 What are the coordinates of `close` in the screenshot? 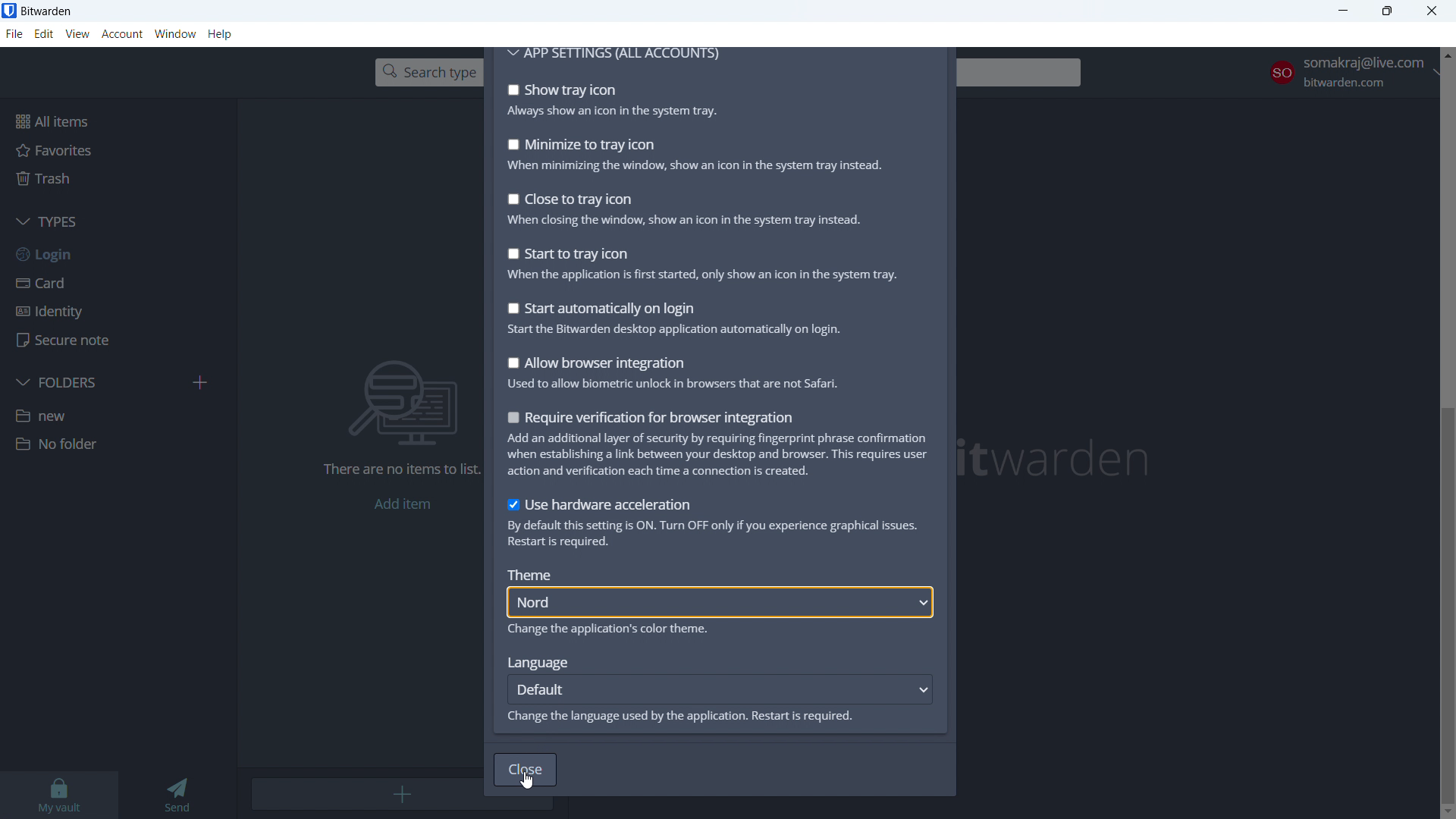 It's located at (1432, 11).